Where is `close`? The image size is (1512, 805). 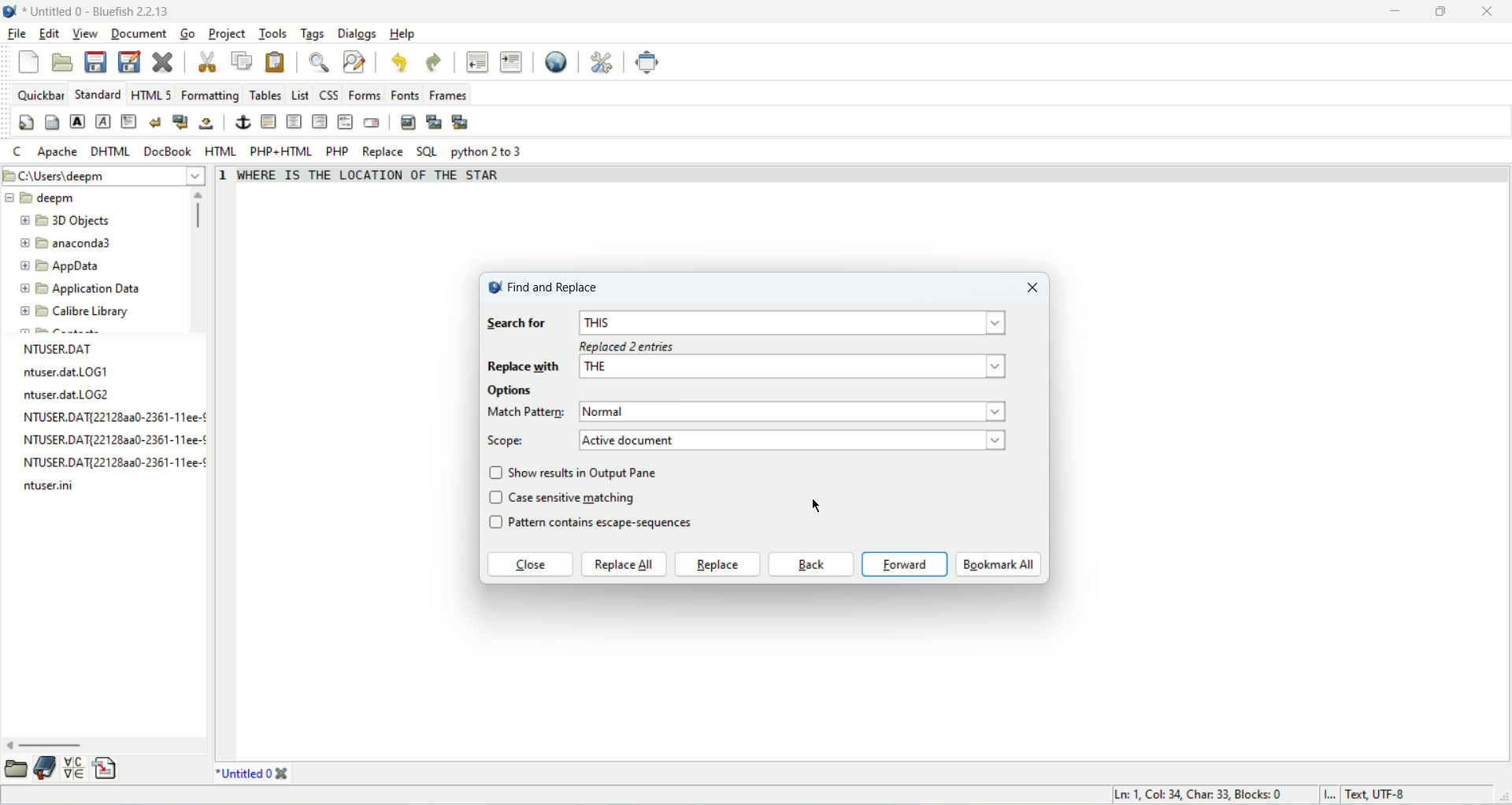 close is located at coordinates (282, 773).